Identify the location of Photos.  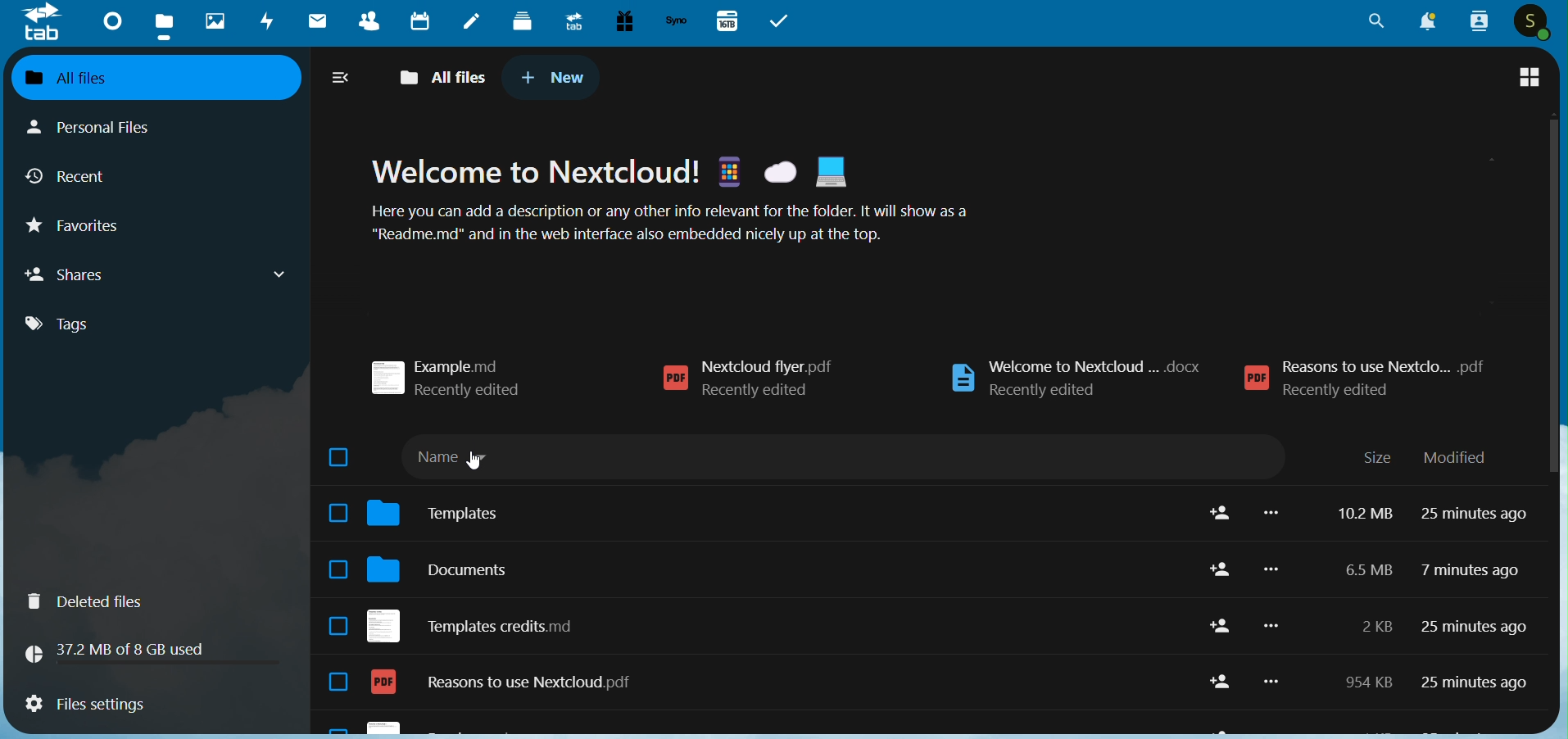
(213, 20).